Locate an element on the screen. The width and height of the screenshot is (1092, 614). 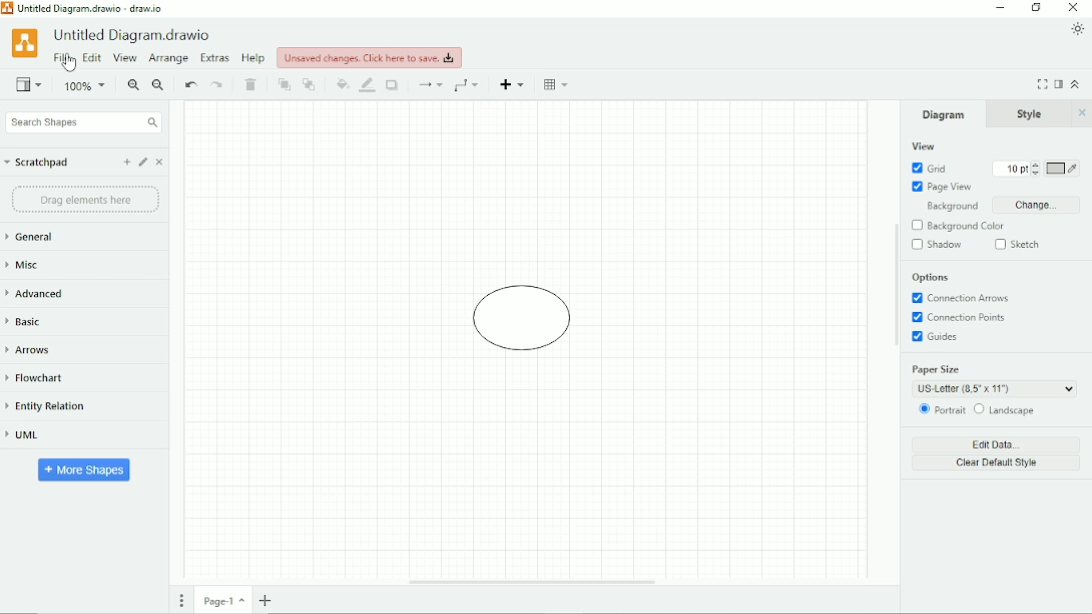
Close is located at coordinates (1074, 7).